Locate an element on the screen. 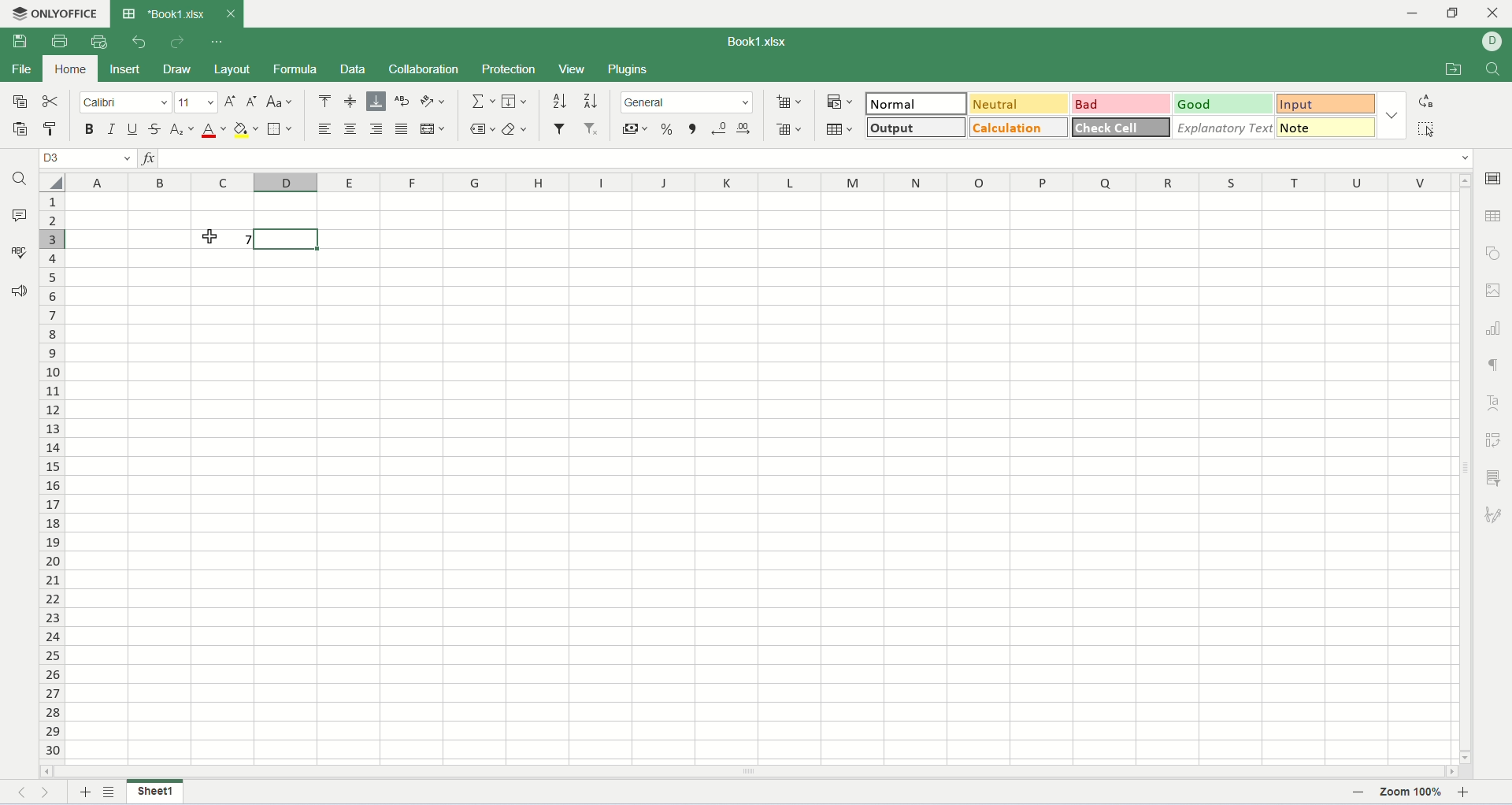 Image resolution: width=1512 pixels, height=805 pixels. chart settings is located at coordinates (1496, 329).